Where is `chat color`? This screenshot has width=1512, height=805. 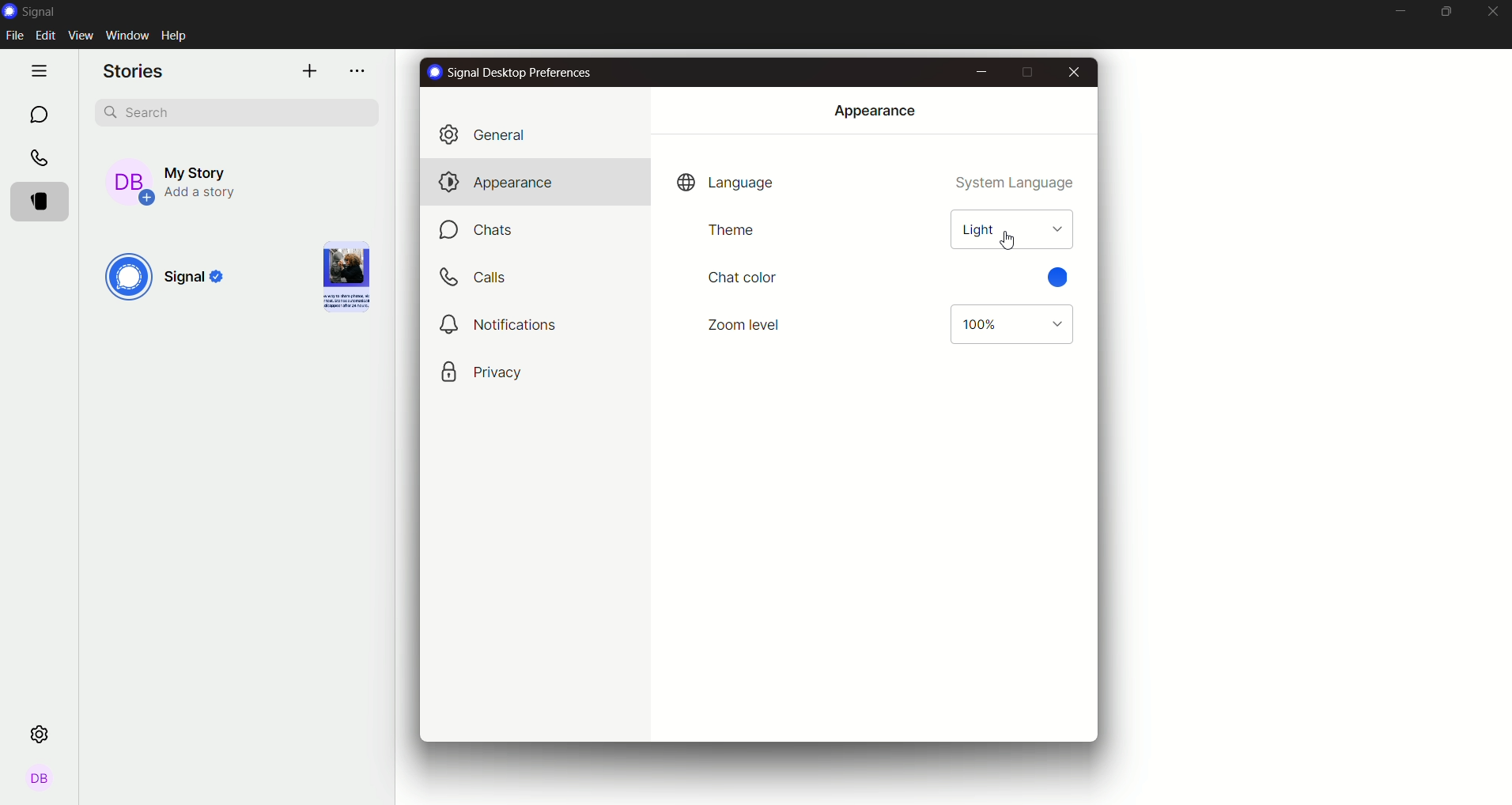
chat color is located at coordinates (742, 276).